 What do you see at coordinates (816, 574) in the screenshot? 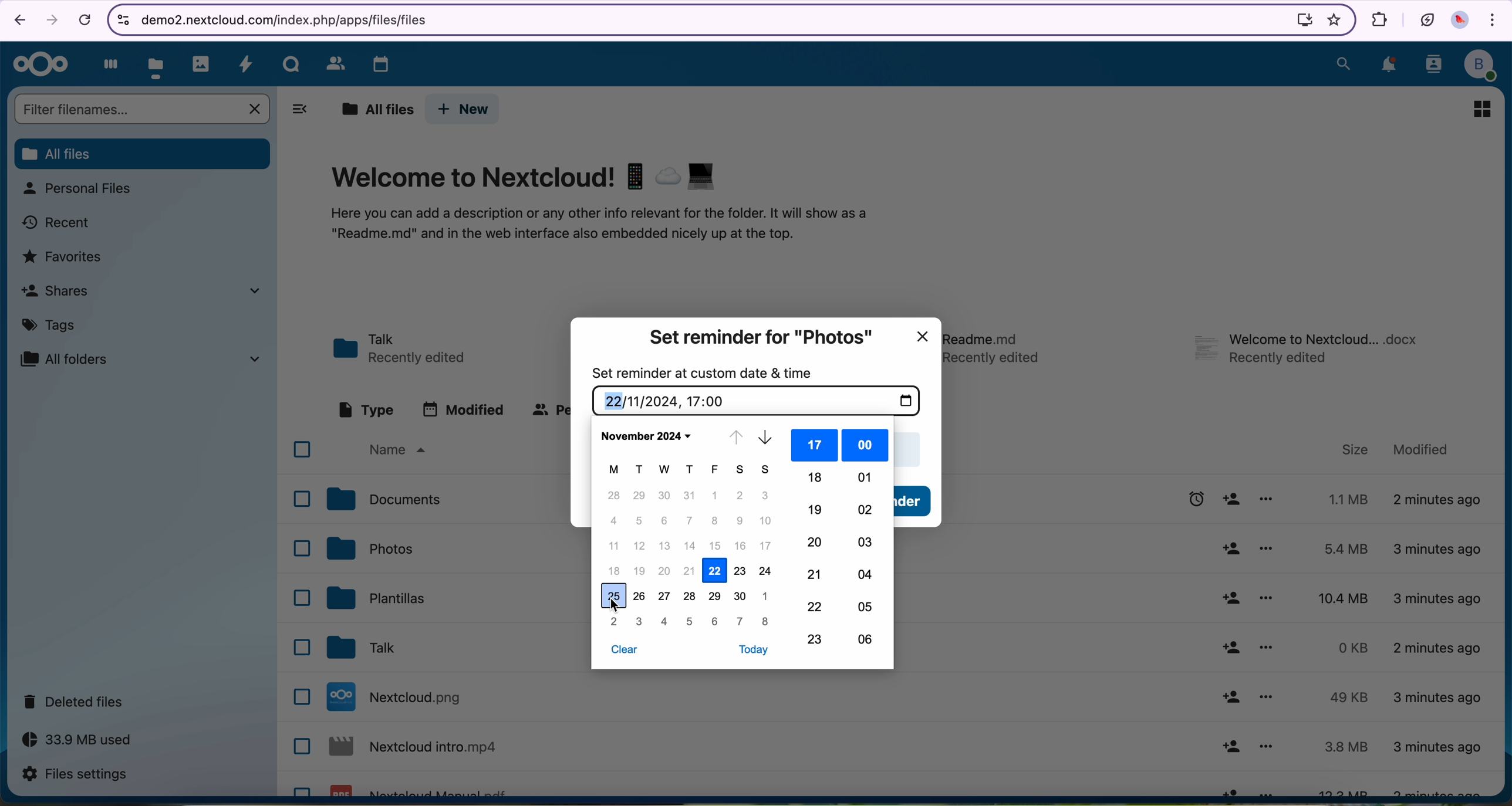
I see `21` at bounding box center [816, 574].